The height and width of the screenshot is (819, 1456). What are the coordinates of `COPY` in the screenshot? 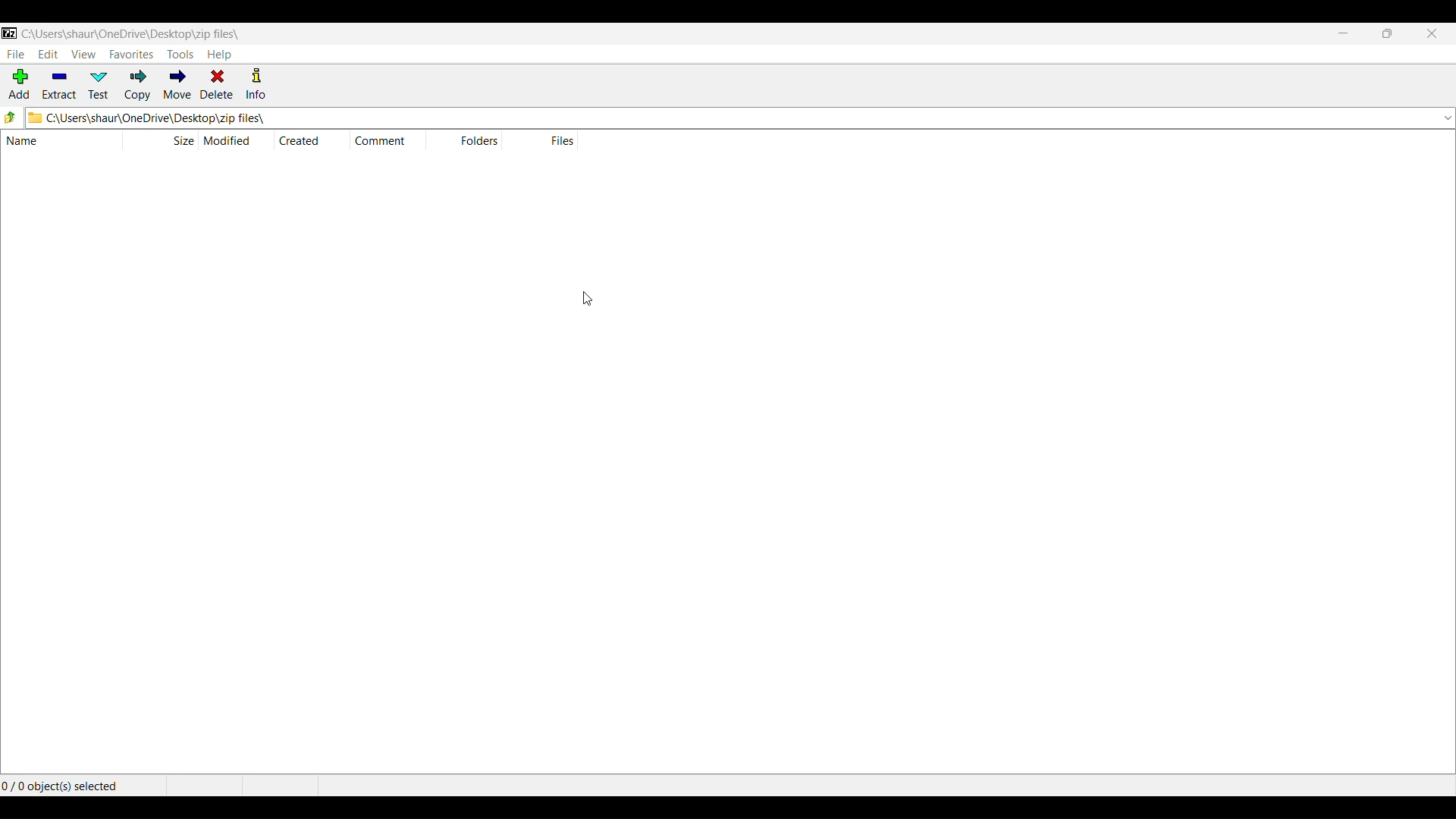 It's located at (138, 86).